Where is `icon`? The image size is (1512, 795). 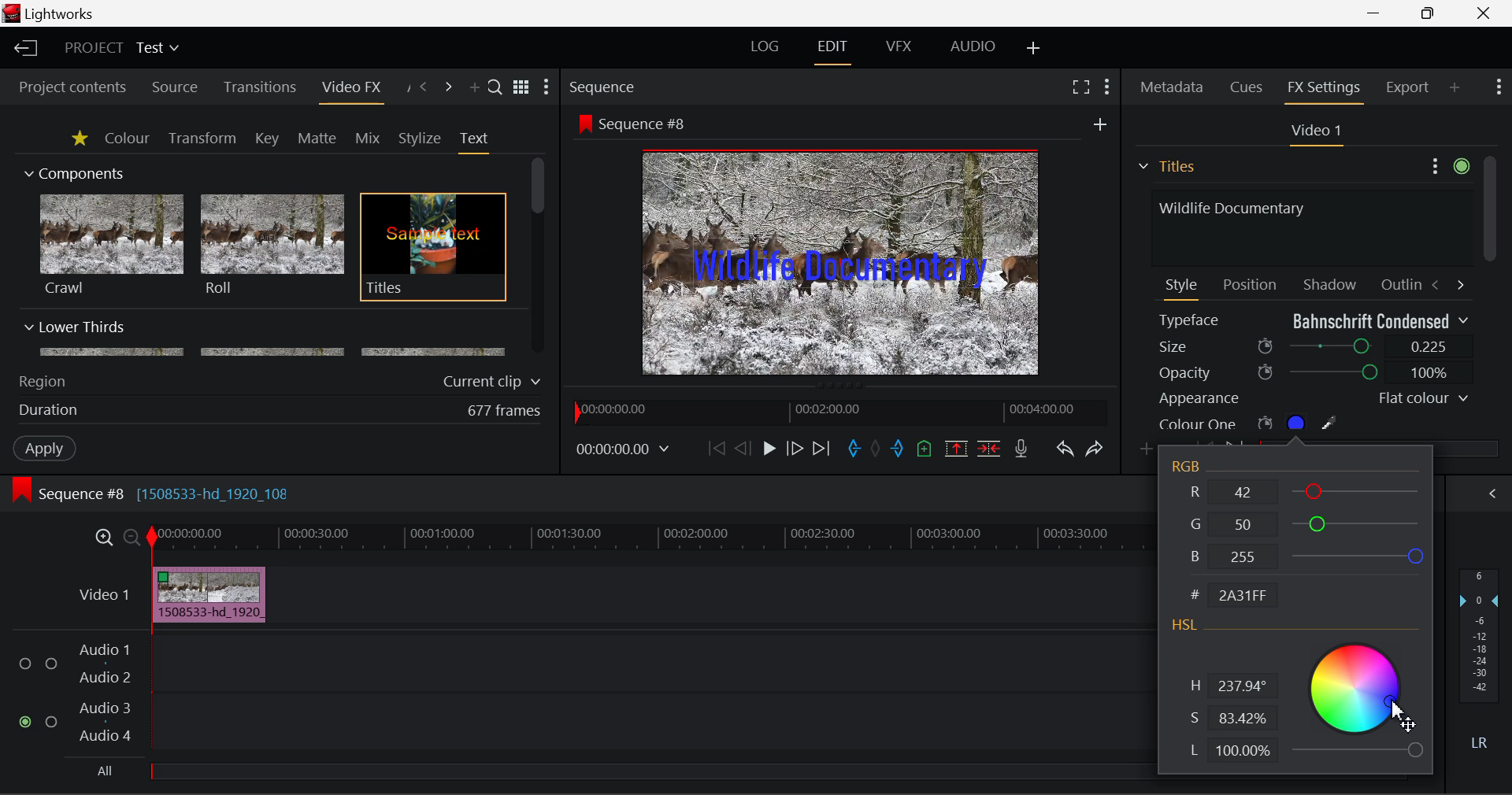
icon is located at coordinates (20, 490).